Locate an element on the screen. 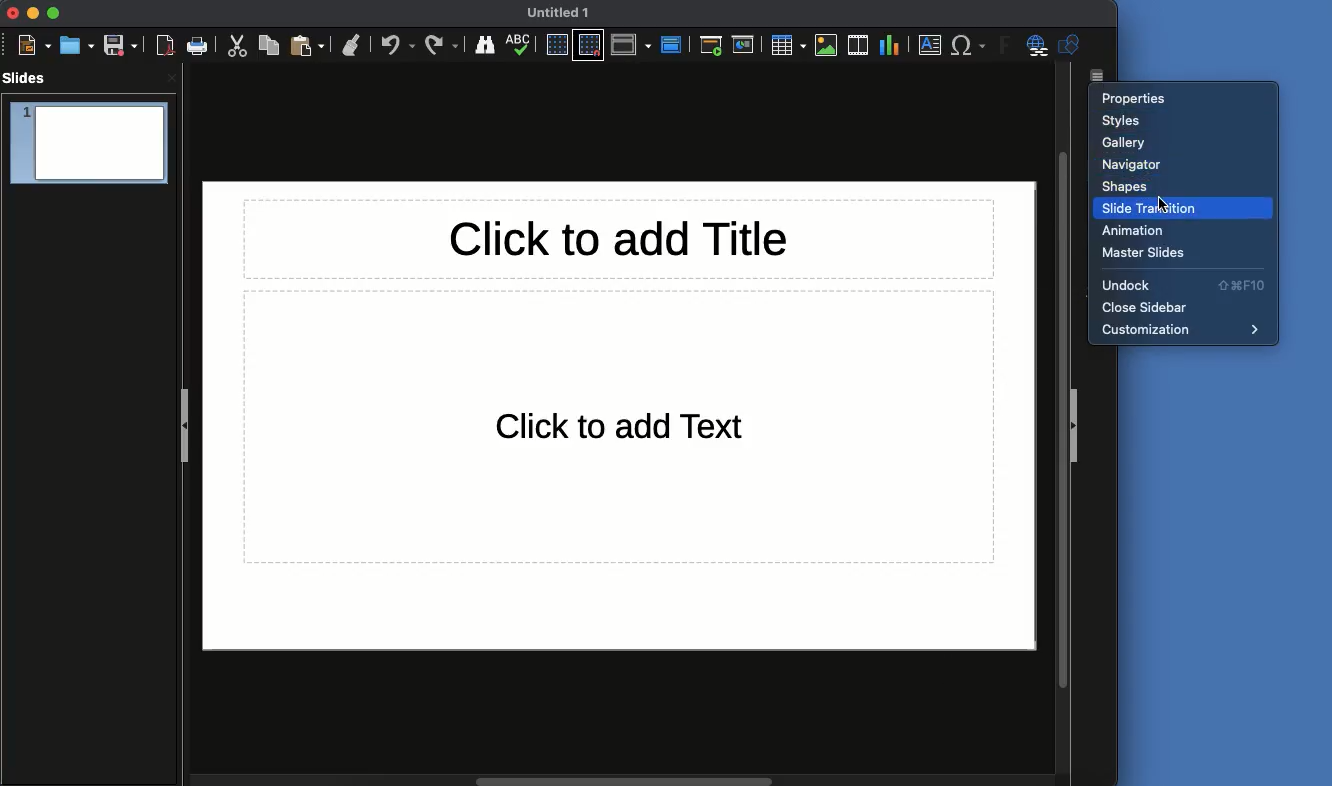 The width and height of the screenshot is (1332, 786). Finder is located at coordinates (488, 46).